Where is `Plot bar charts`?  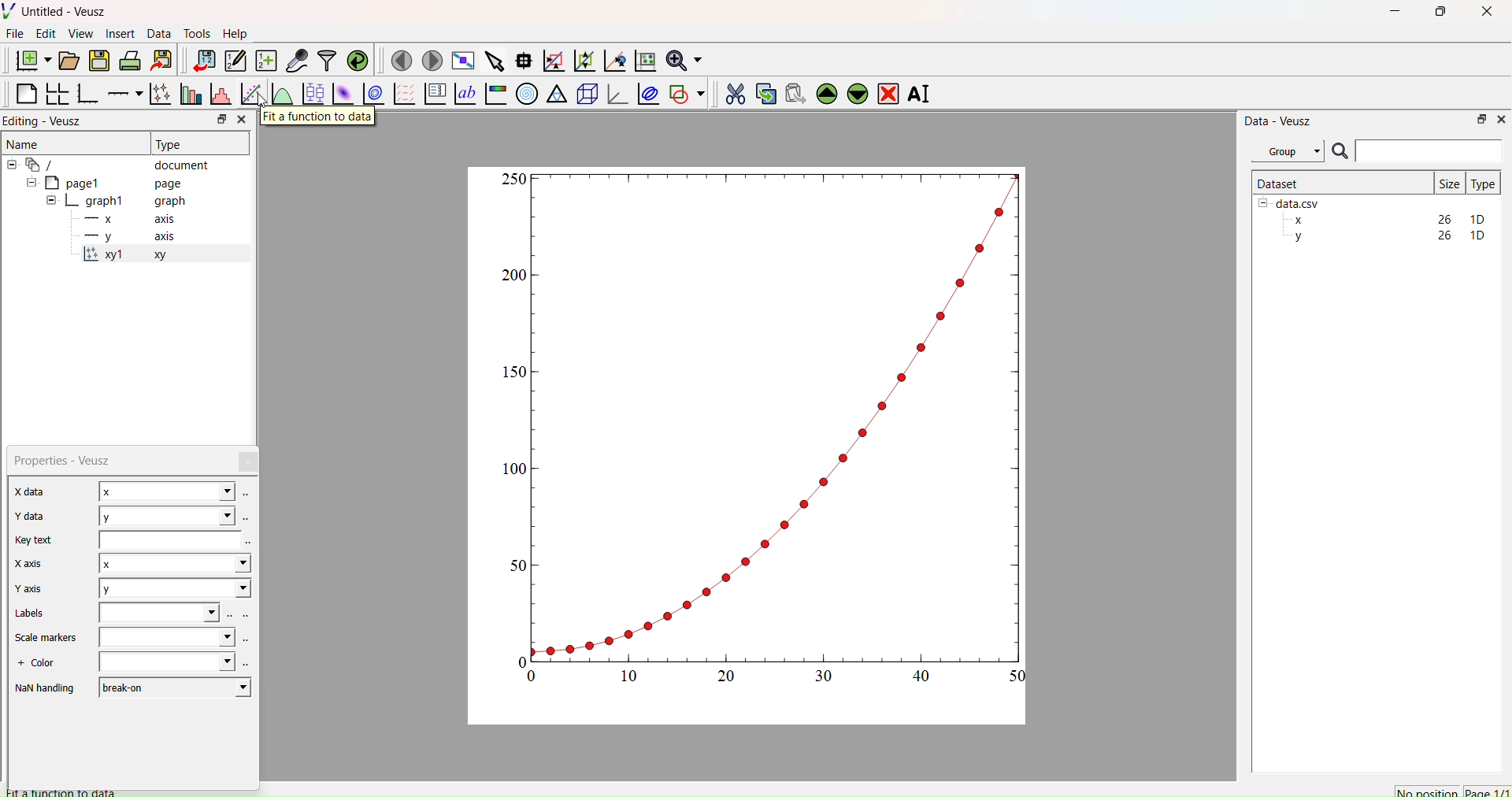
Plot bar charts is located at coordinates (189, 95).